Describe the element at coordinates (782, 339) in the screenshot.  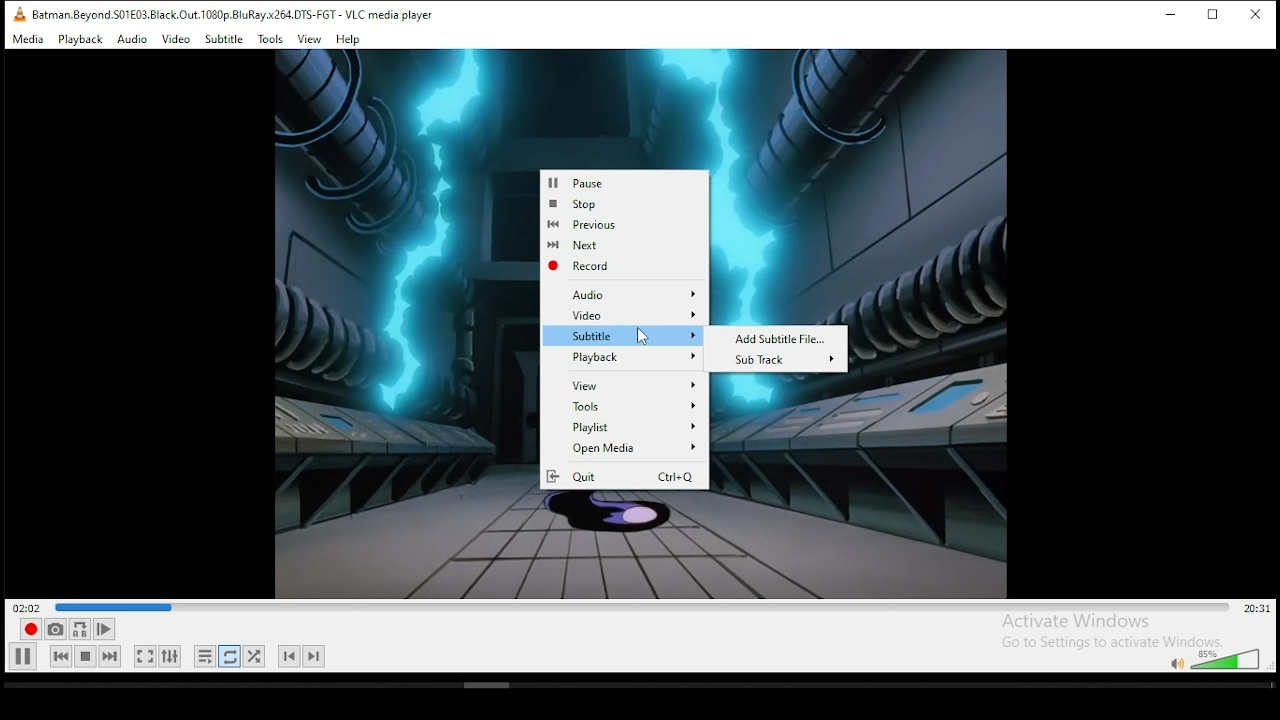
I see `Add Subtitles file` at that location.